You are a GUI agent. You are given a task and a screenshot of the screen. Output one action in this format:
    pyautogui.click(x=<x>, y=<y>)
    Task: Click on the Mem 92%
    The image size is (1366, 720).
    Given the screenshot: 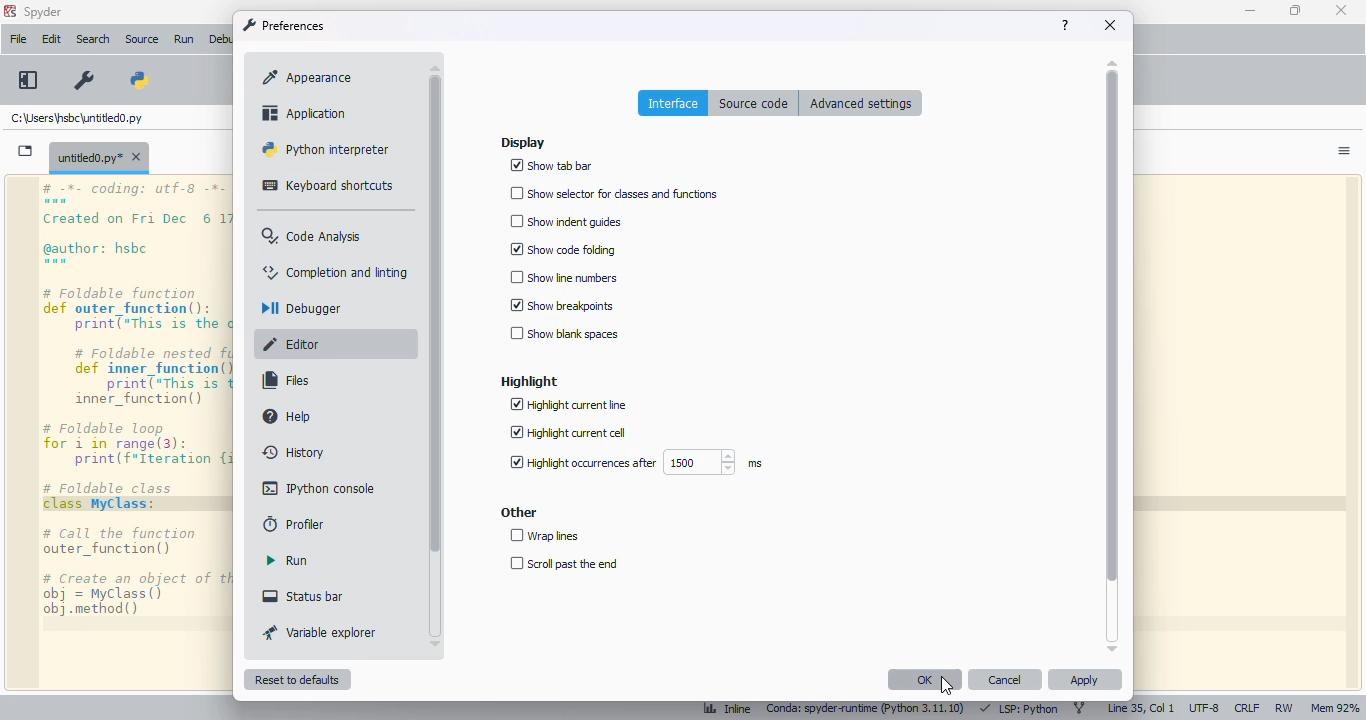 What is the action you would take?
    pyautogui.click(x=1334, y=708)
    